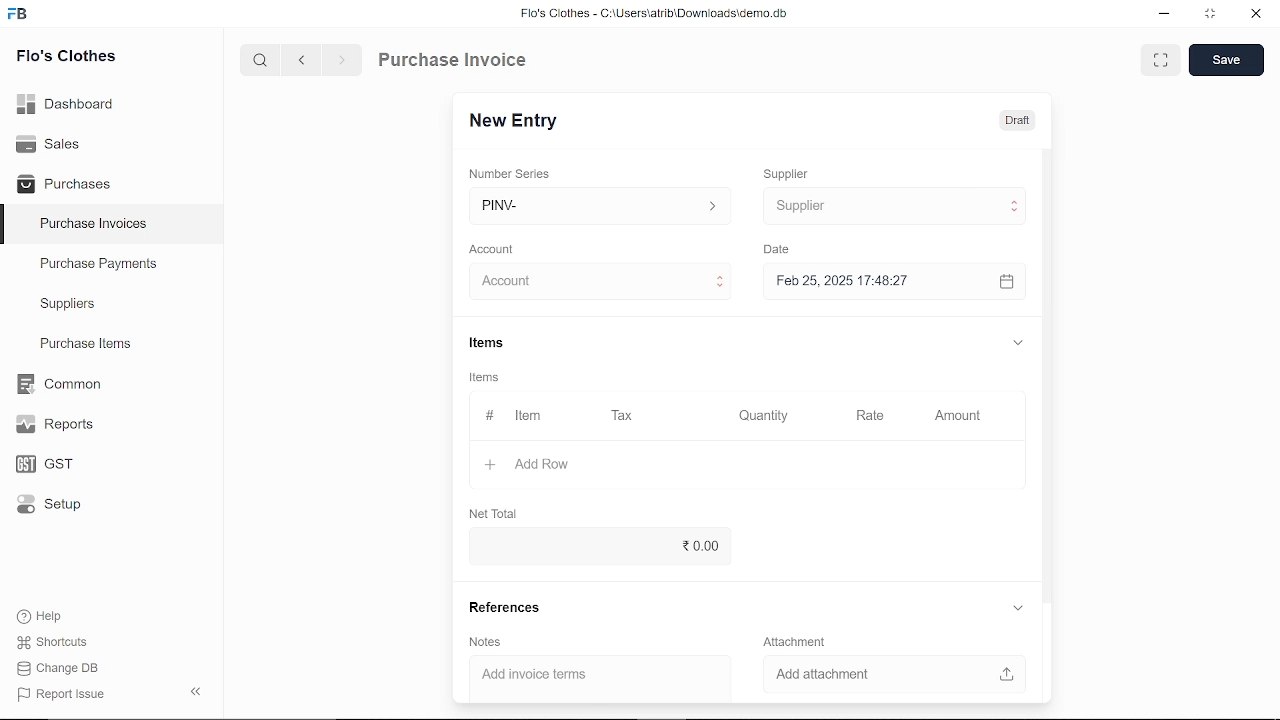 This screenshot has height=720, width=1280. Describe the element at coordinates (54, 425) in the screenshot. I see `Reports` at that location.